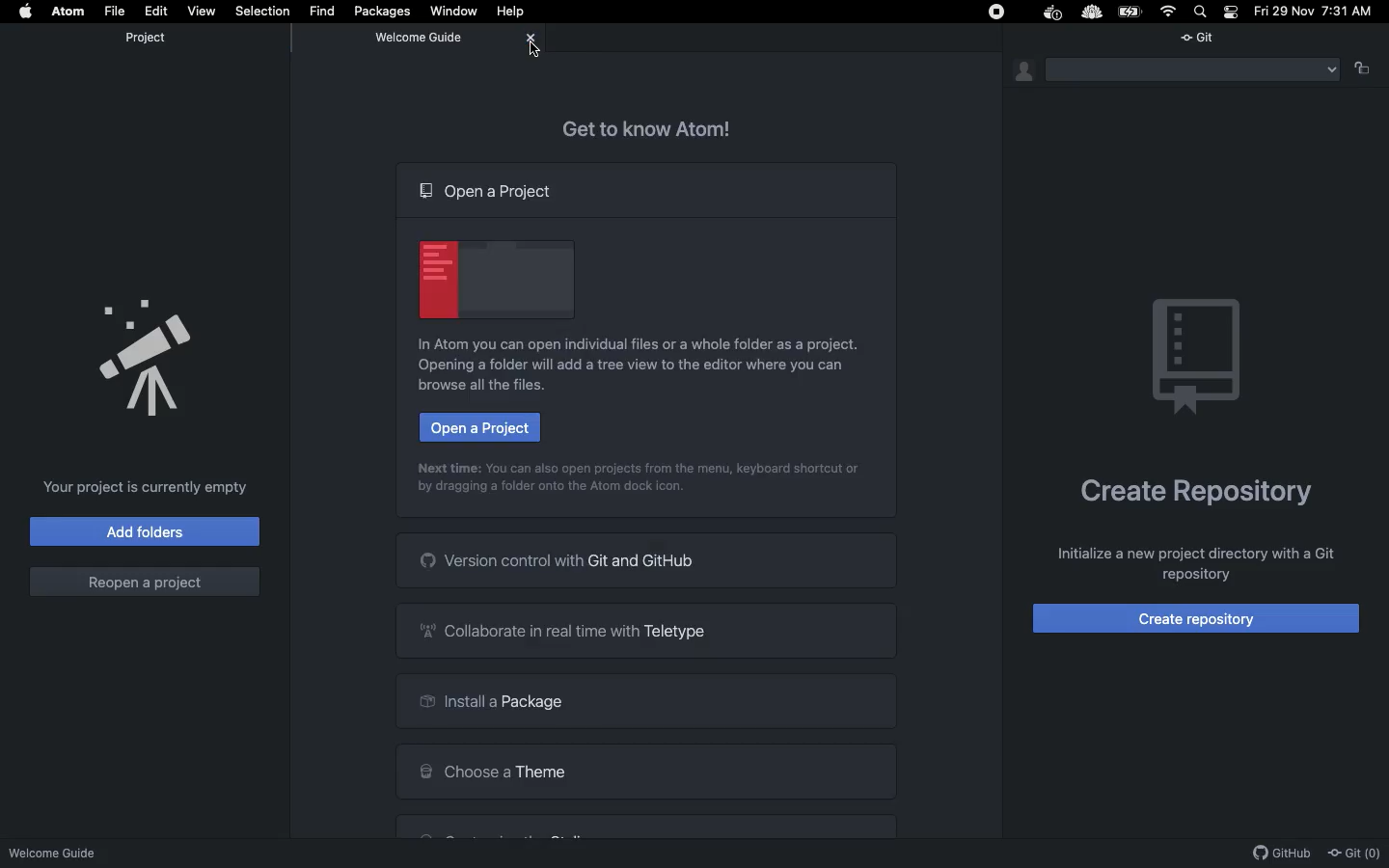 The width and height of the screenshot is (1389, 868). Describe the element at coordinates (1092, 13) in the screenshot. I see `Extension` at that location.